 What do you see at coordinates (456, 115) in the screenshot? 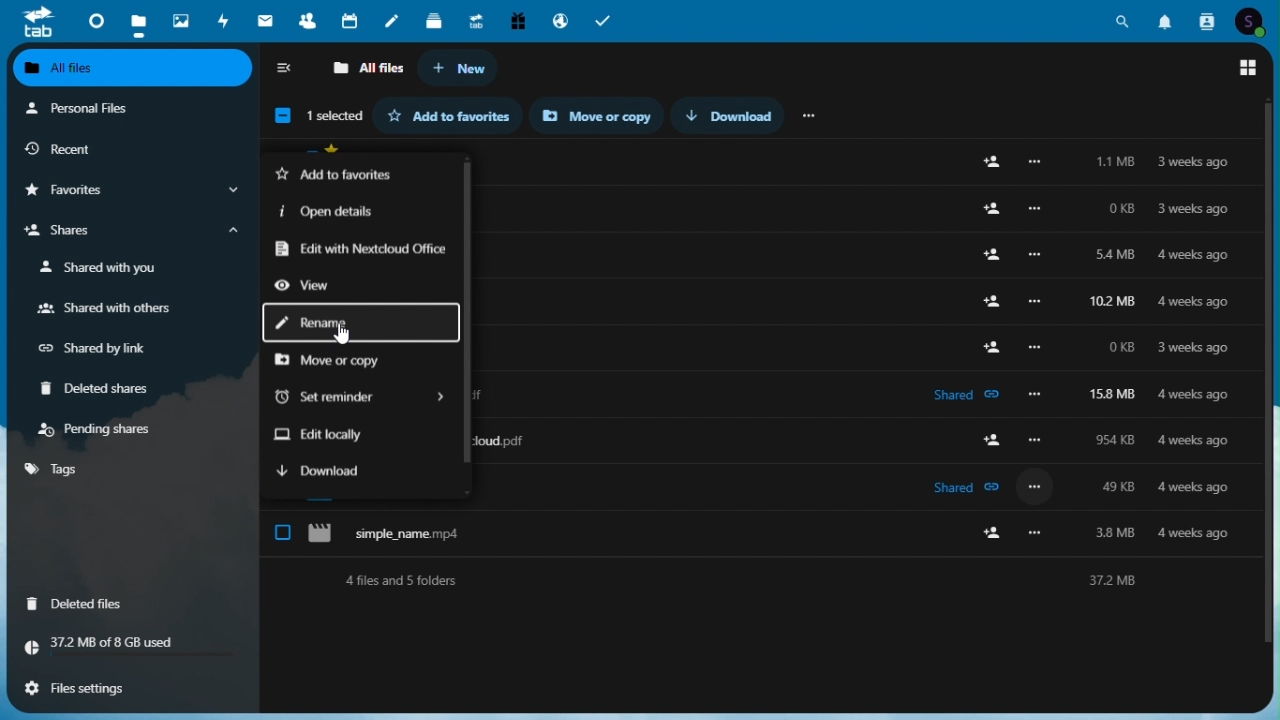
I see `Add to favourites` at bounding box center [456, 115].